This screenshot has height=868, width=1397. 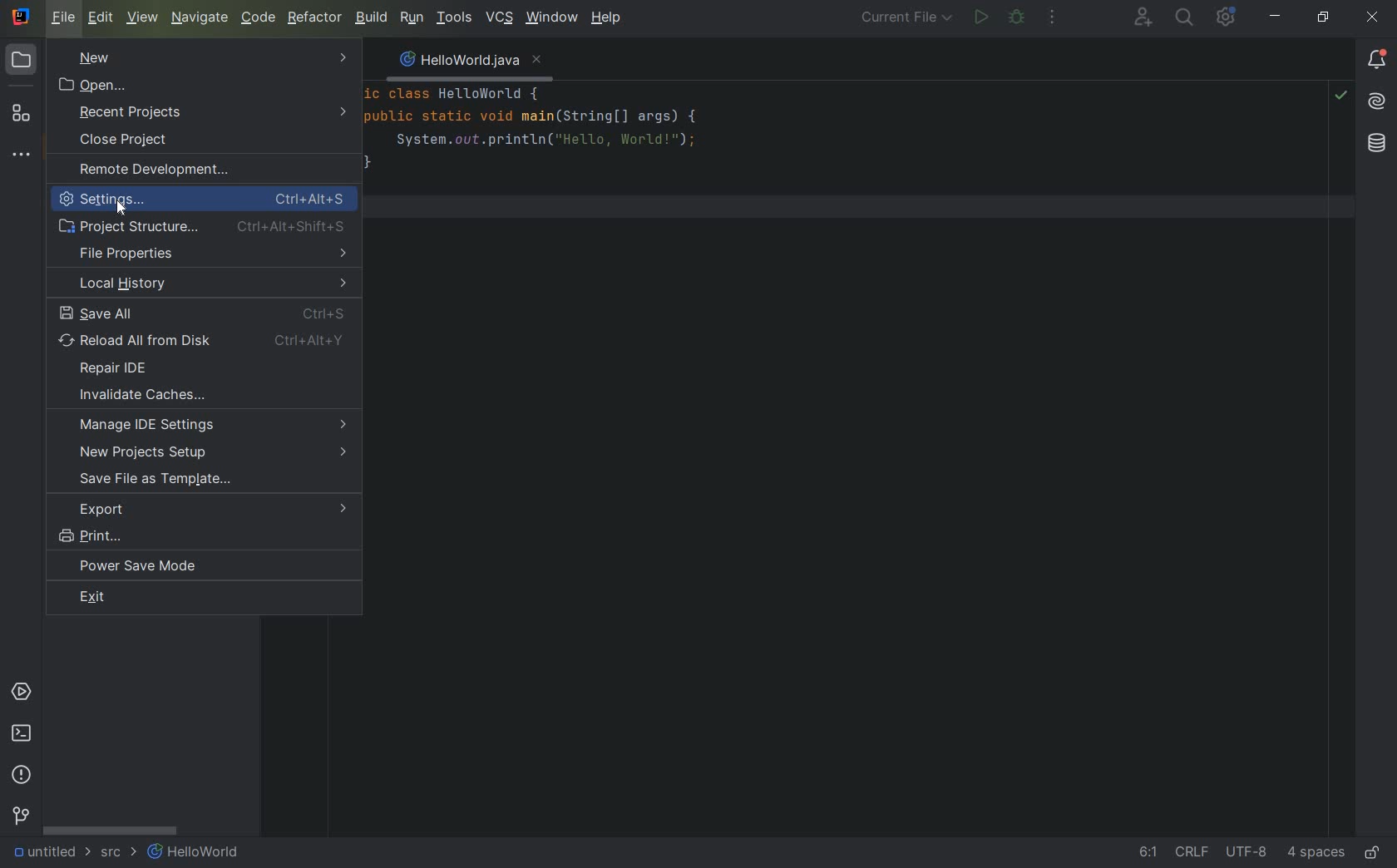 I want to click on (UTF-8)file encoding), so click(x=1249, y=855).